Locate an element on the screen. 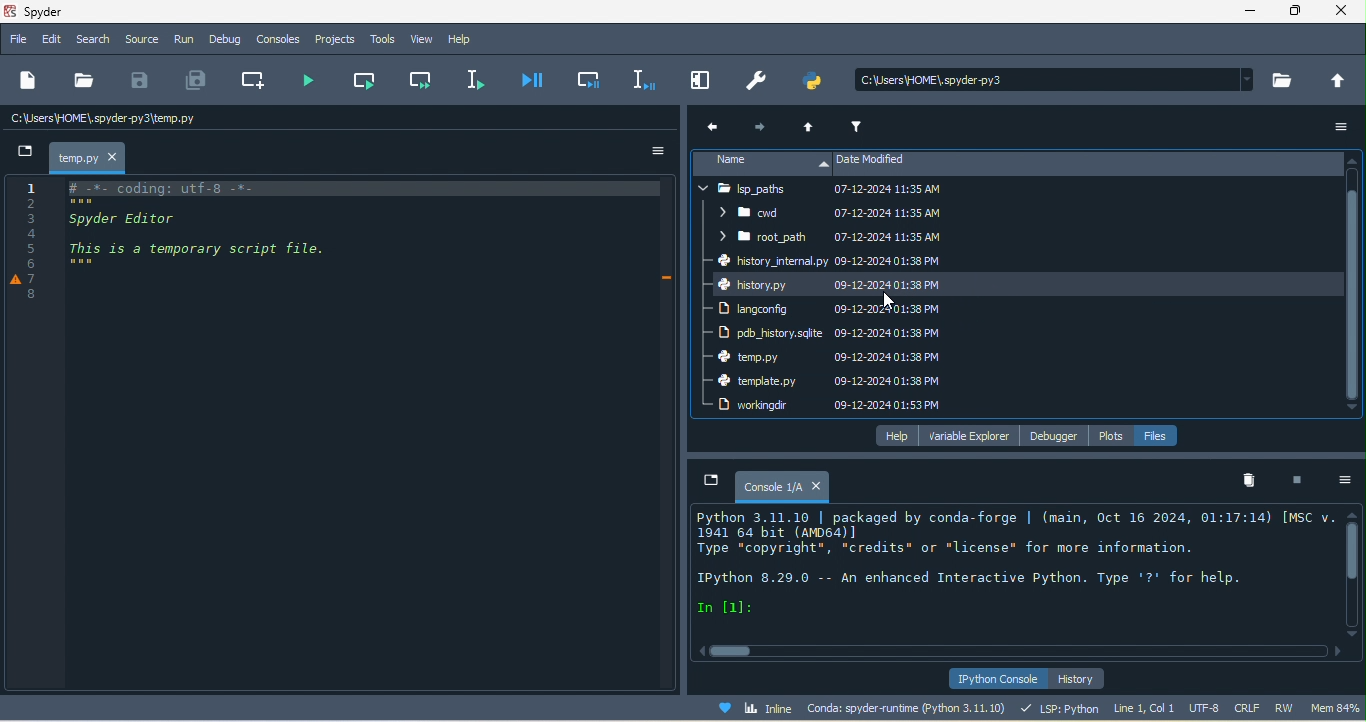 Image resolution: width=1366 pixels, height=722 pixels. pdb history  is located at coordinates (767, 333).